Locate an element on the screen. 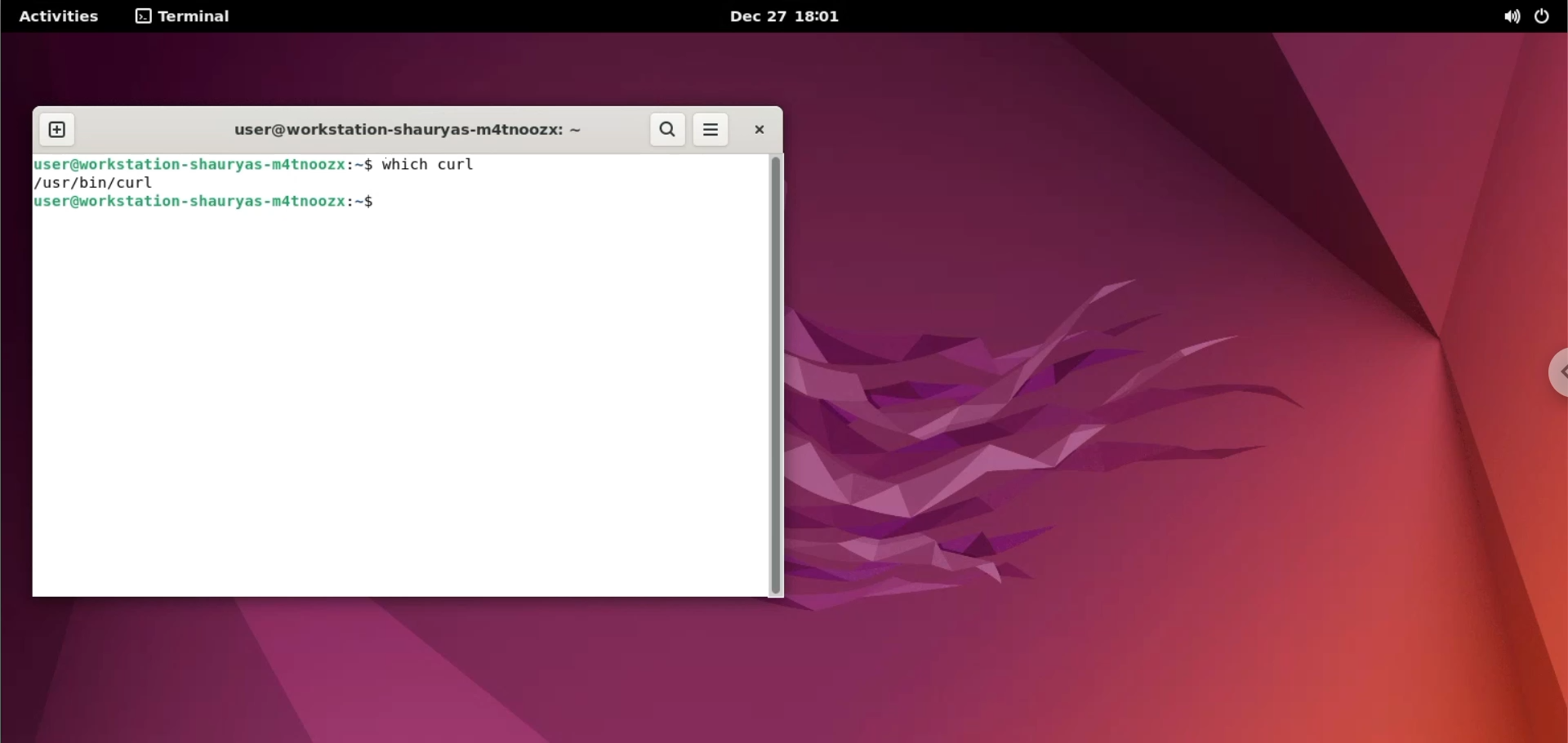 This screenshot has height=743, width=1568. terminal menu is located at coordinates (189, 17).